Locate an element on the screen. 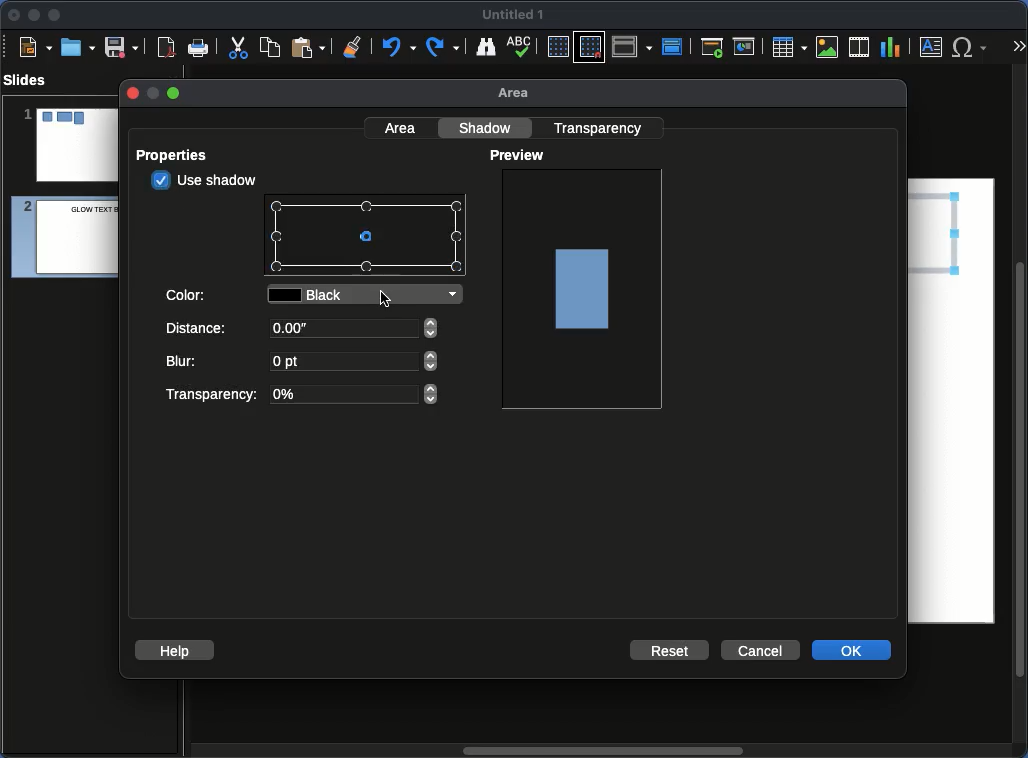 The image size is (1028, 758). Shadow is located at coordinates (488, 127).